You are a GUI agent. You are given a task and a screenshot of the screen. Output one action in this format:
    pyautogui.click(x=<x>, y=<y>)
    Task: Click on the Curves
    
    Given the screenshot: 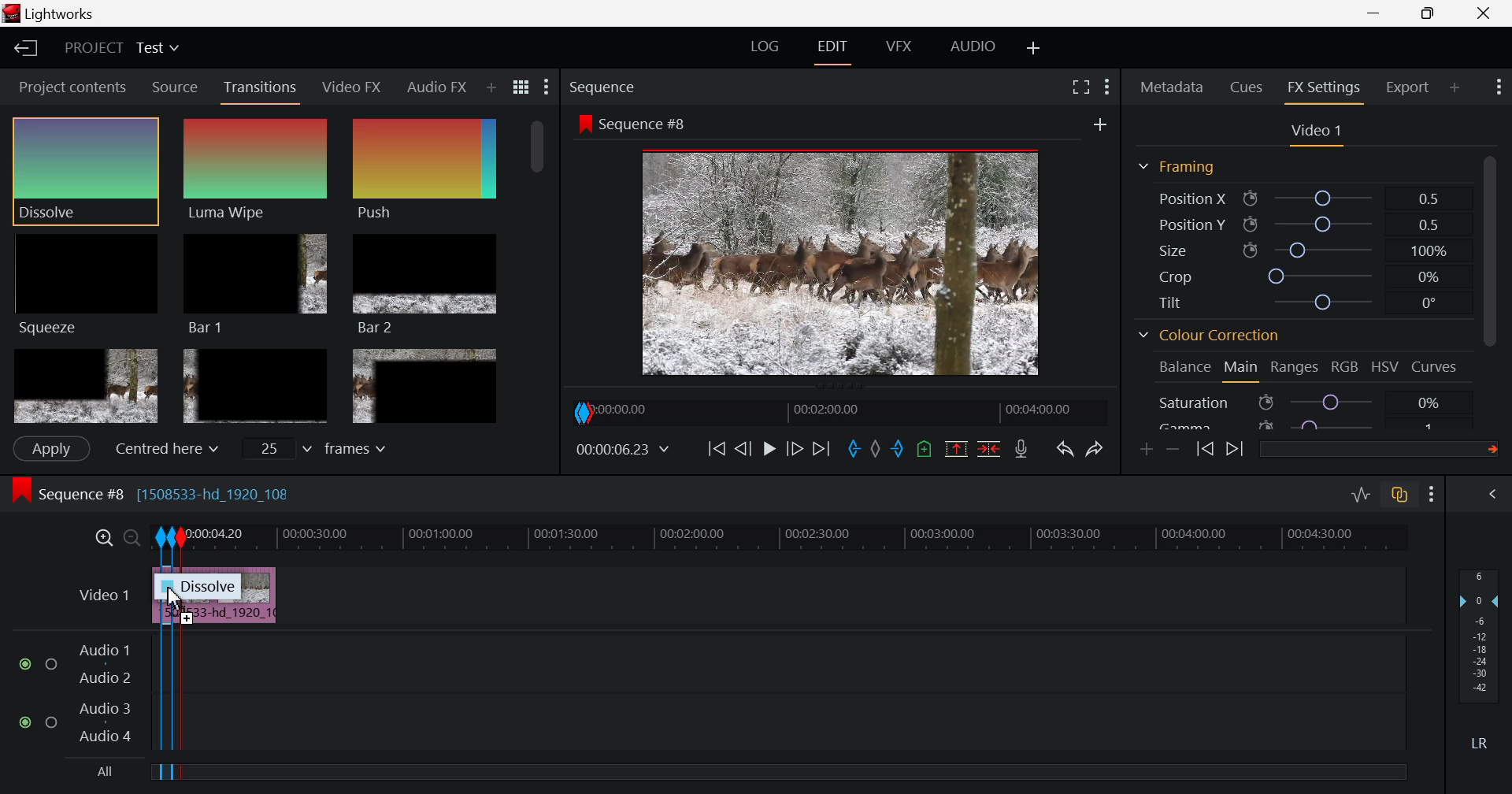 What is the action you would take?
    pyautogui.click(x=1436, y=367)
    